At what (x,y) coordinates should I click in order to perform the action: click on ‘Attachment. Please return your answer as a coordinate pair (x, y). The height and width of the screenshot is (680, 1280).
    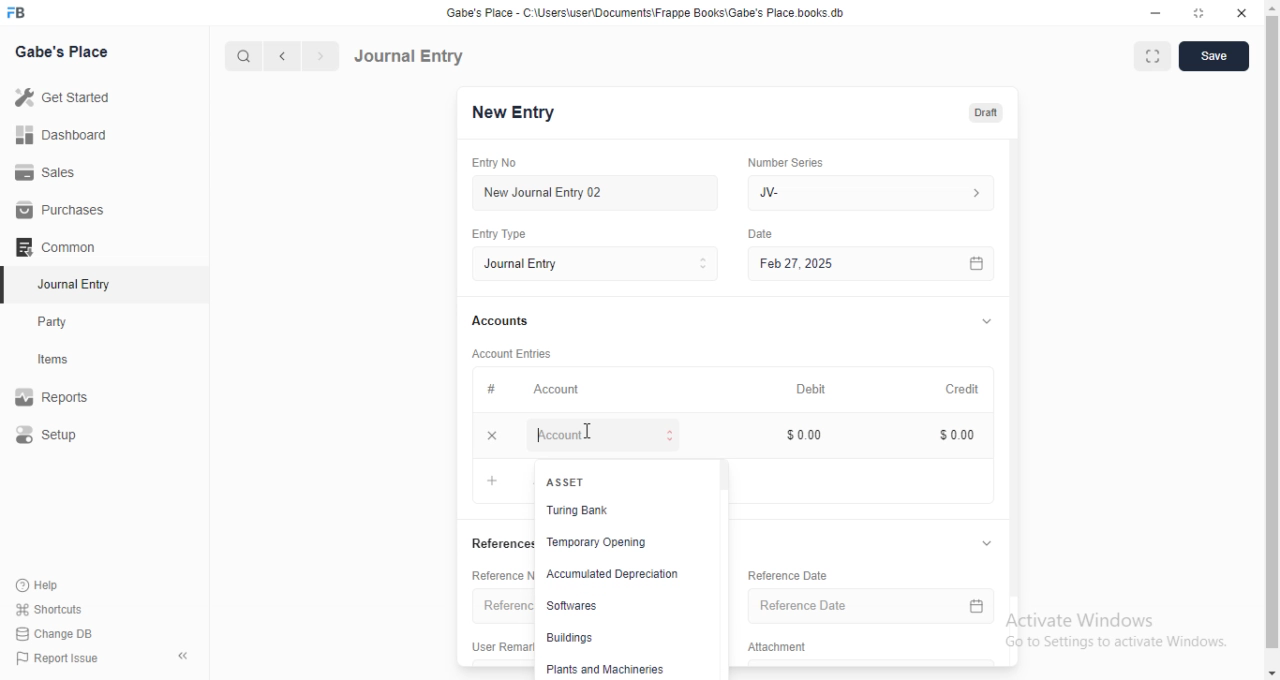
    Looking at the image, I should click on (783, 646).